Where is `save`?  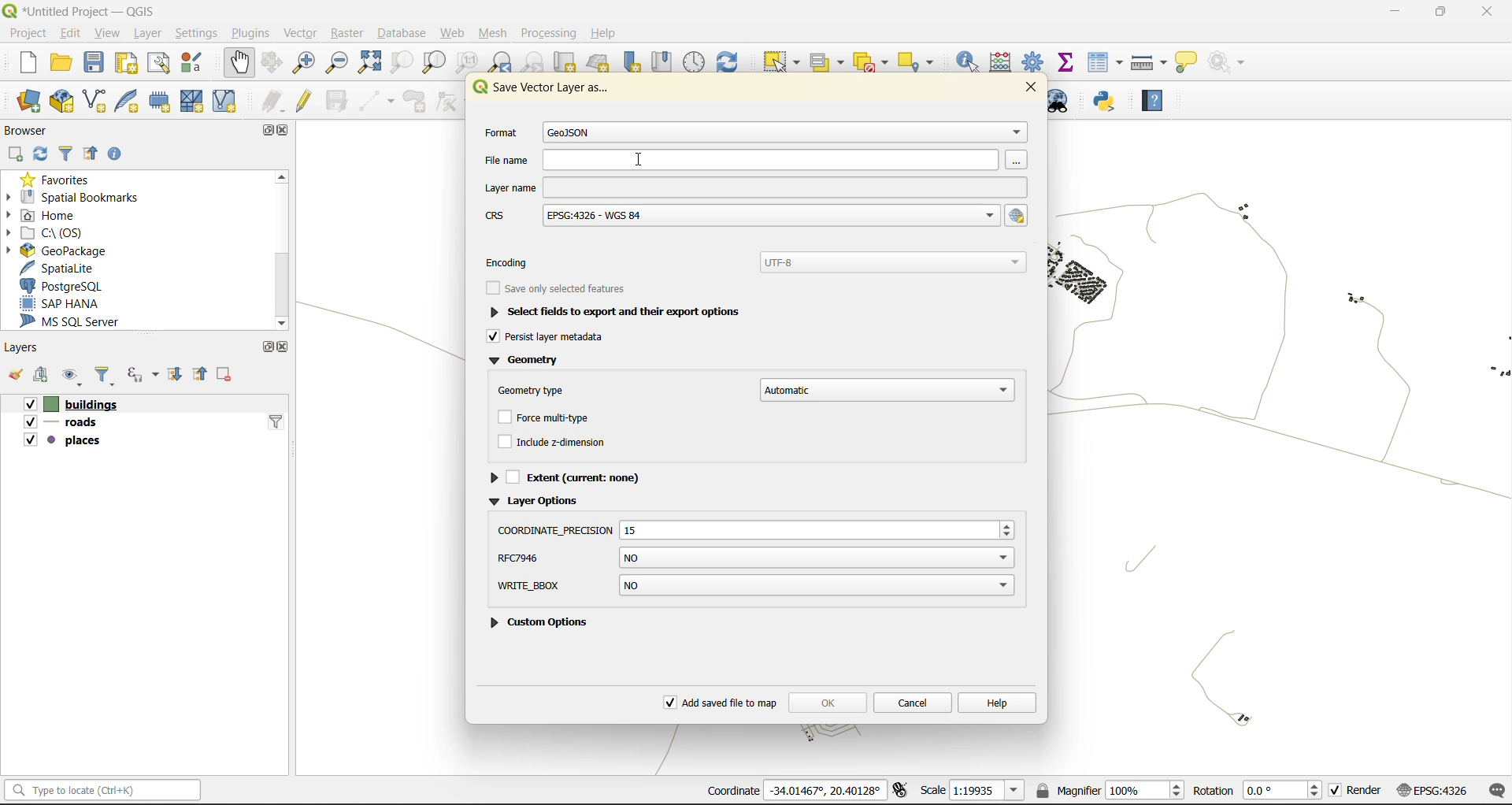
save is located at coordinates (94, 65).